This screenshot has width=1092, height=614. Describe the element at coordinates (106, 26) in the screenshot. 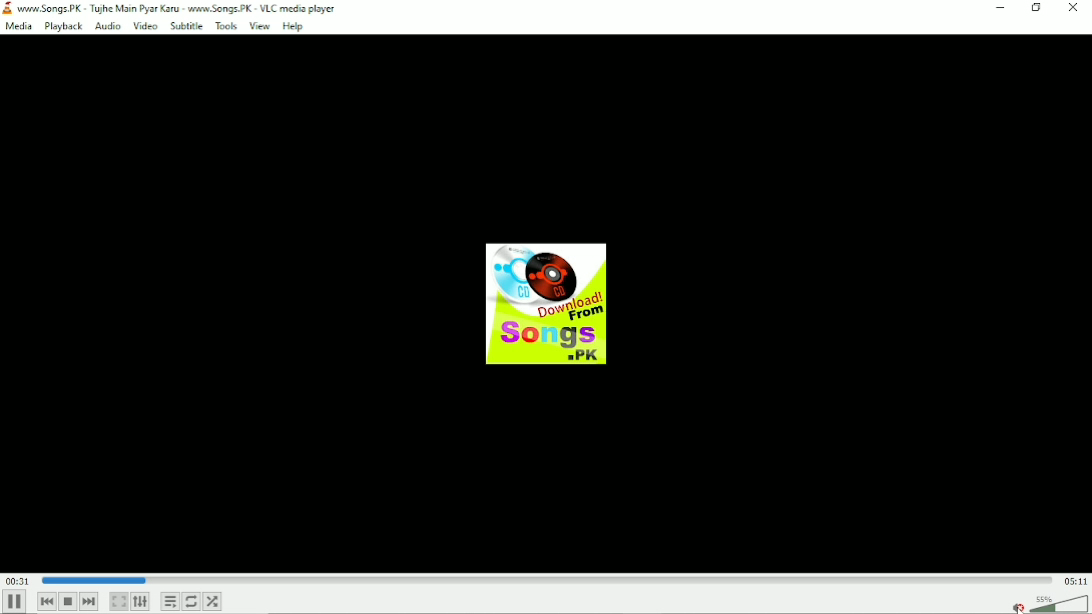

I see `Audio` at that location.